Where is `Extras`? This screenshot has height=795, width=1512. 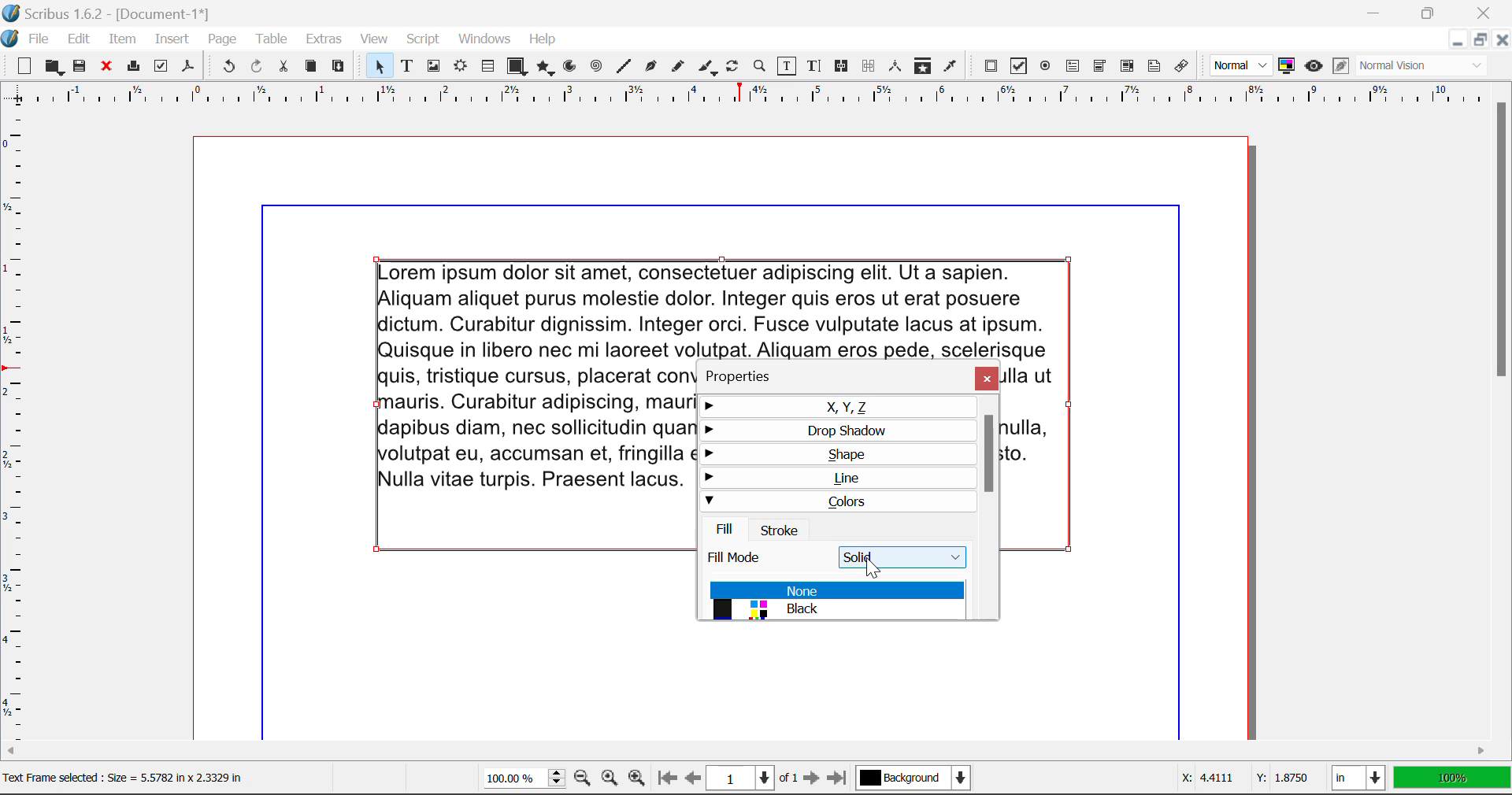 Extras is located at coordinates (326, 39).